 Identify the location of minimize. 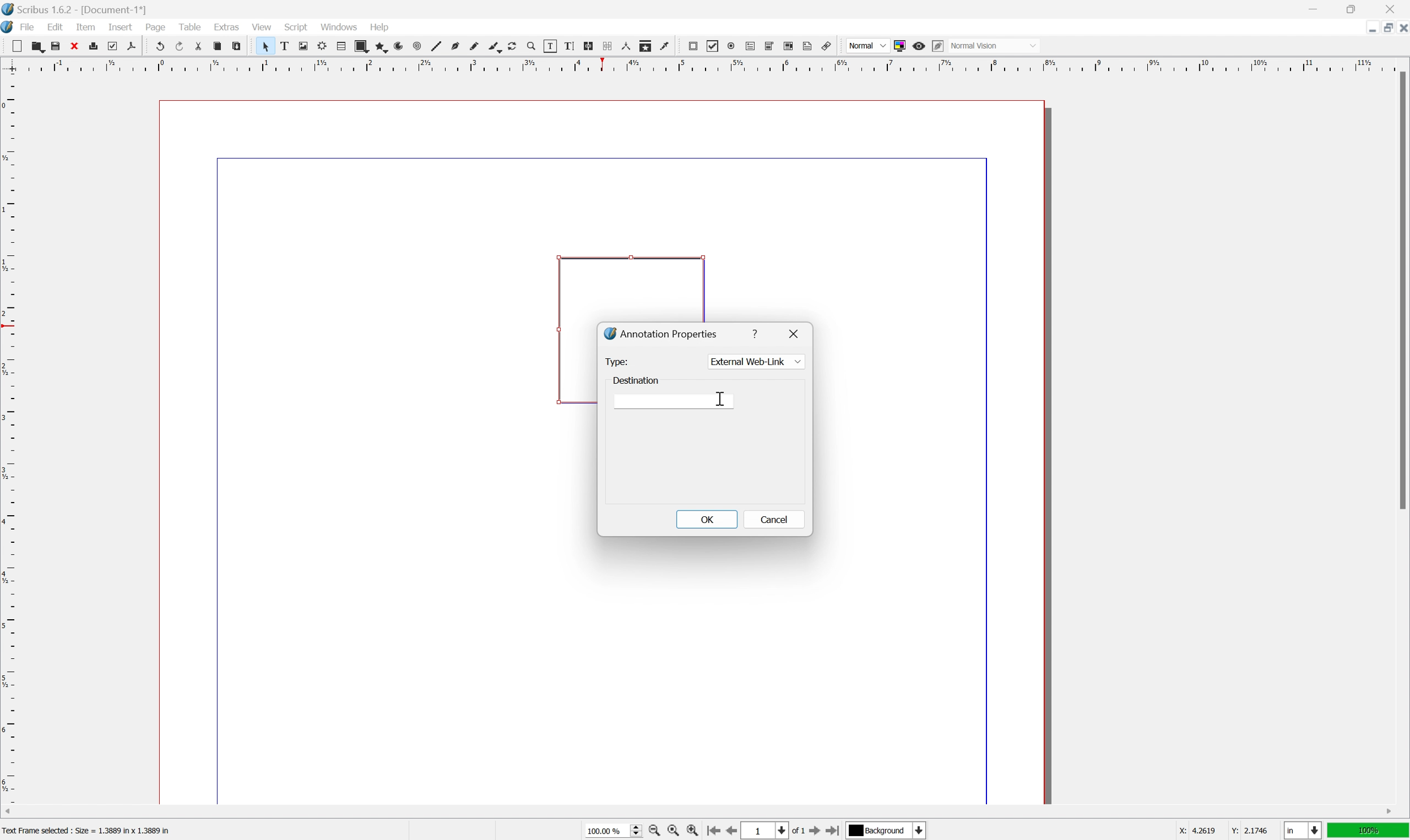
(1369, 29).